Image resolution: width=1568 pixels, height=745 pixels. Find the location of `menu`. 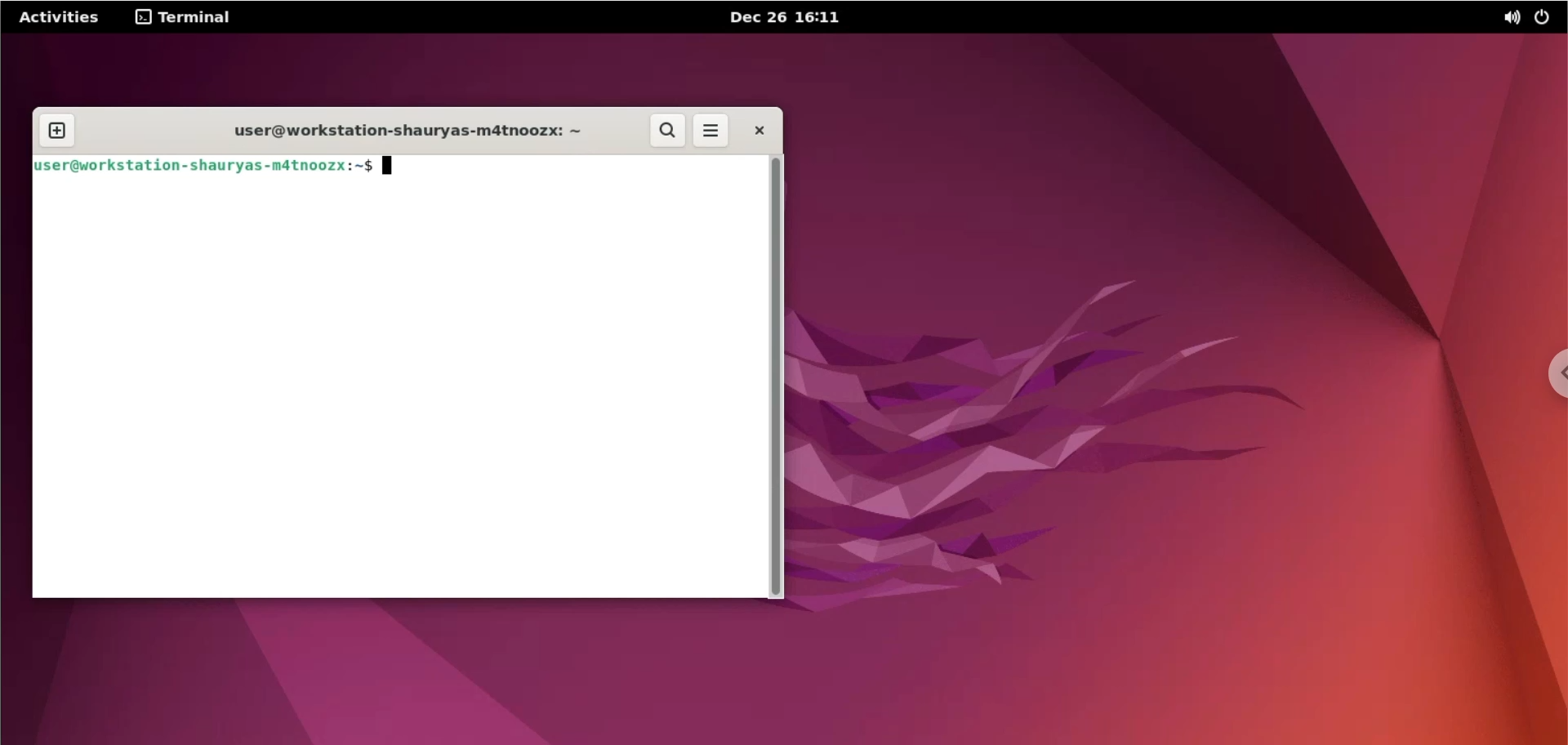

menu is located at coordinates (710, 131).